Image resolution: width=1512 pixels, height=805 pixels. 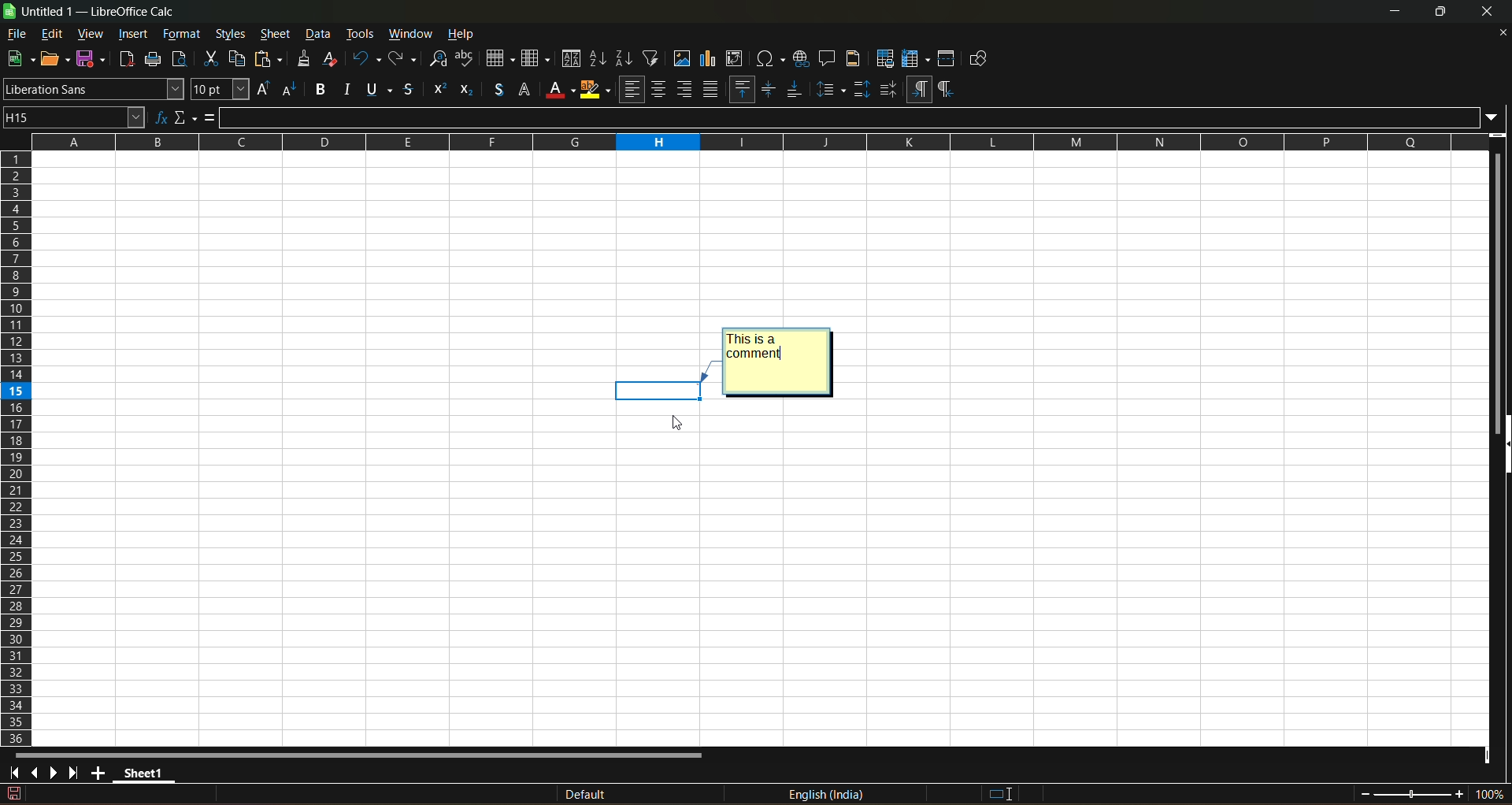 I want to click on formula, so click(x=1194, y=793).